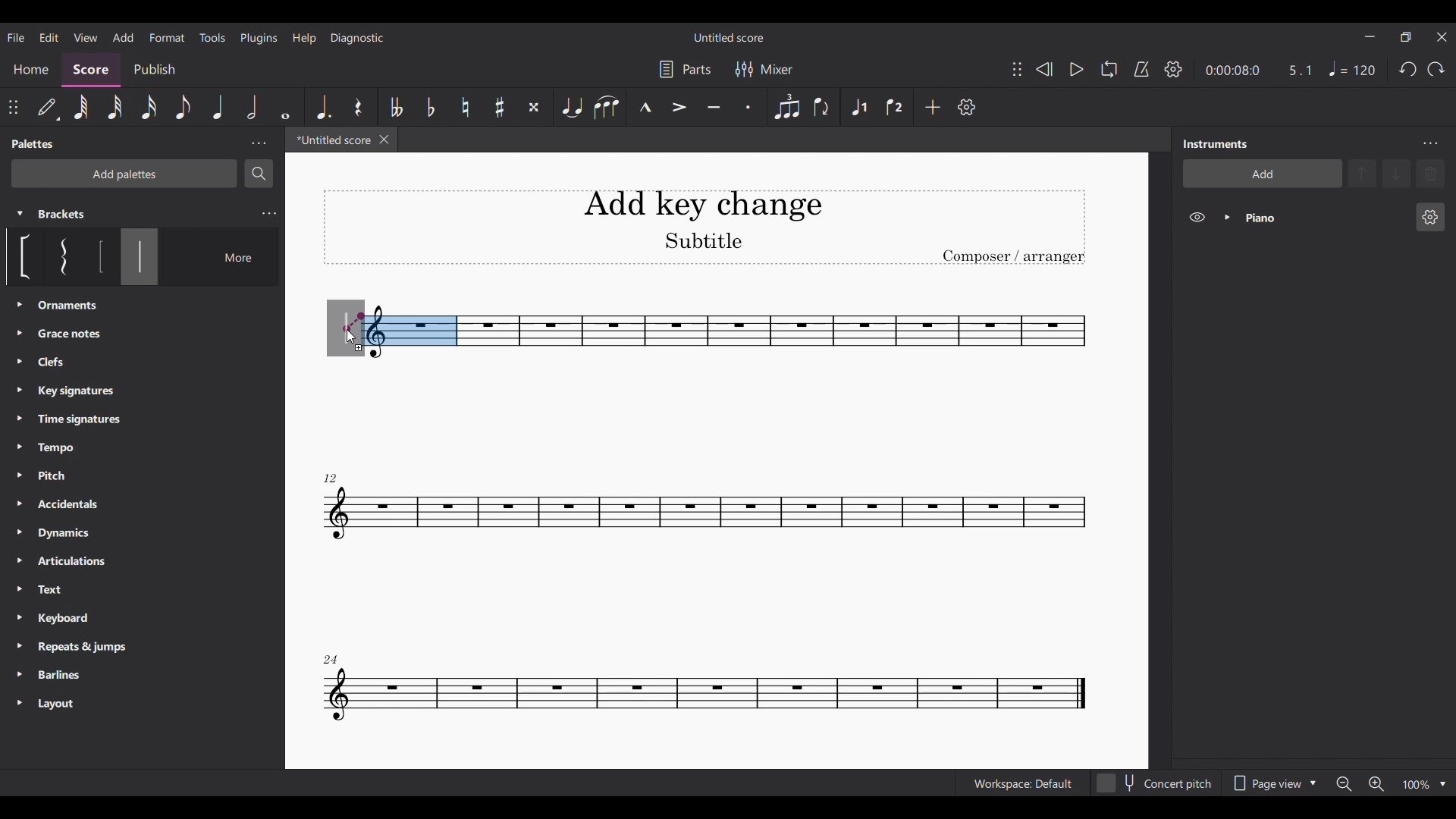  What do you see at coordinates (12, 107) in the screenshot?
I see `Change position of toolbar` at bounding box center [12, 107].